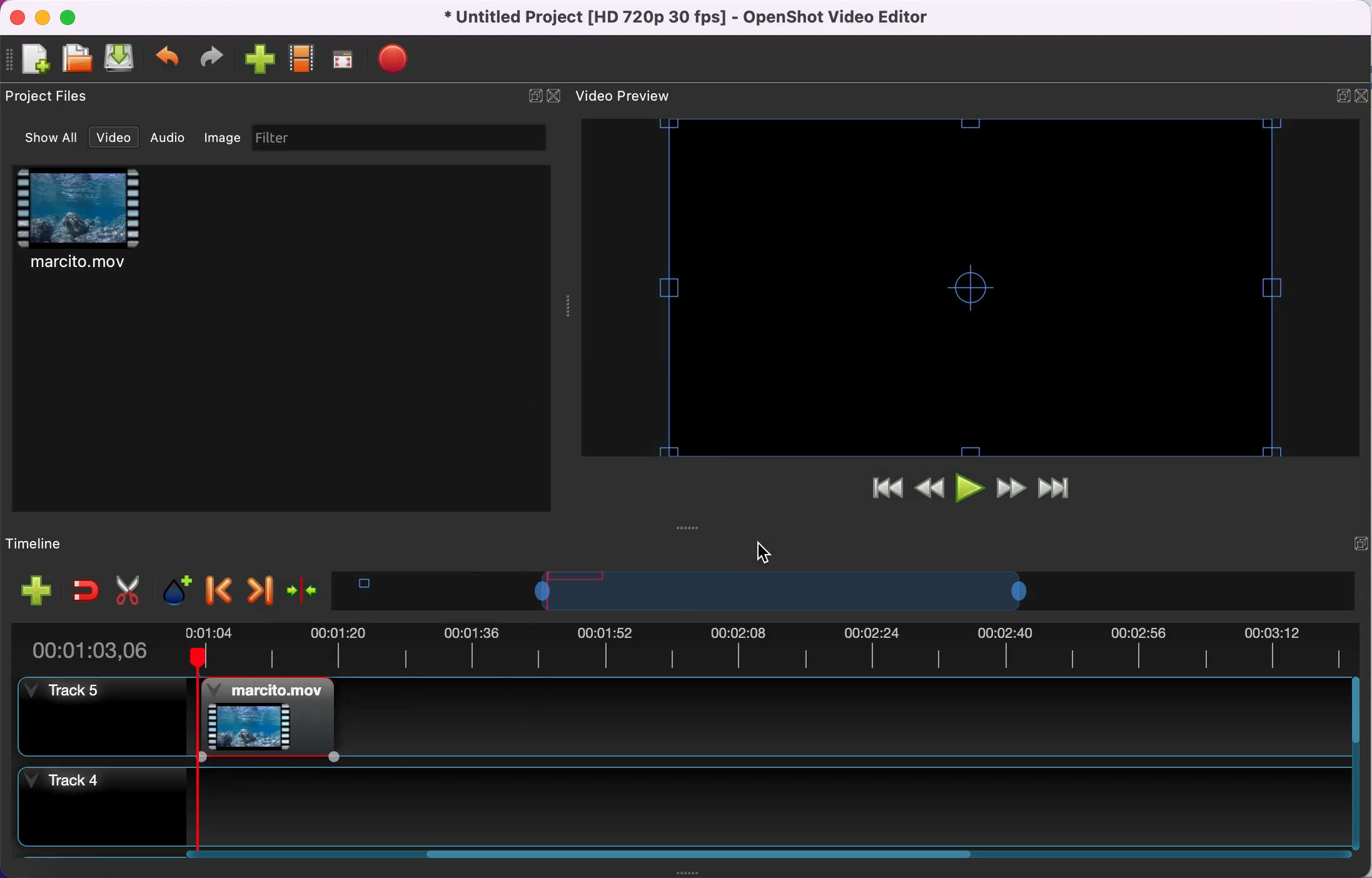 Image resolution: width=1372 pixels, height=878 pixels. I want to click on center the timeline, so click(312, 595).